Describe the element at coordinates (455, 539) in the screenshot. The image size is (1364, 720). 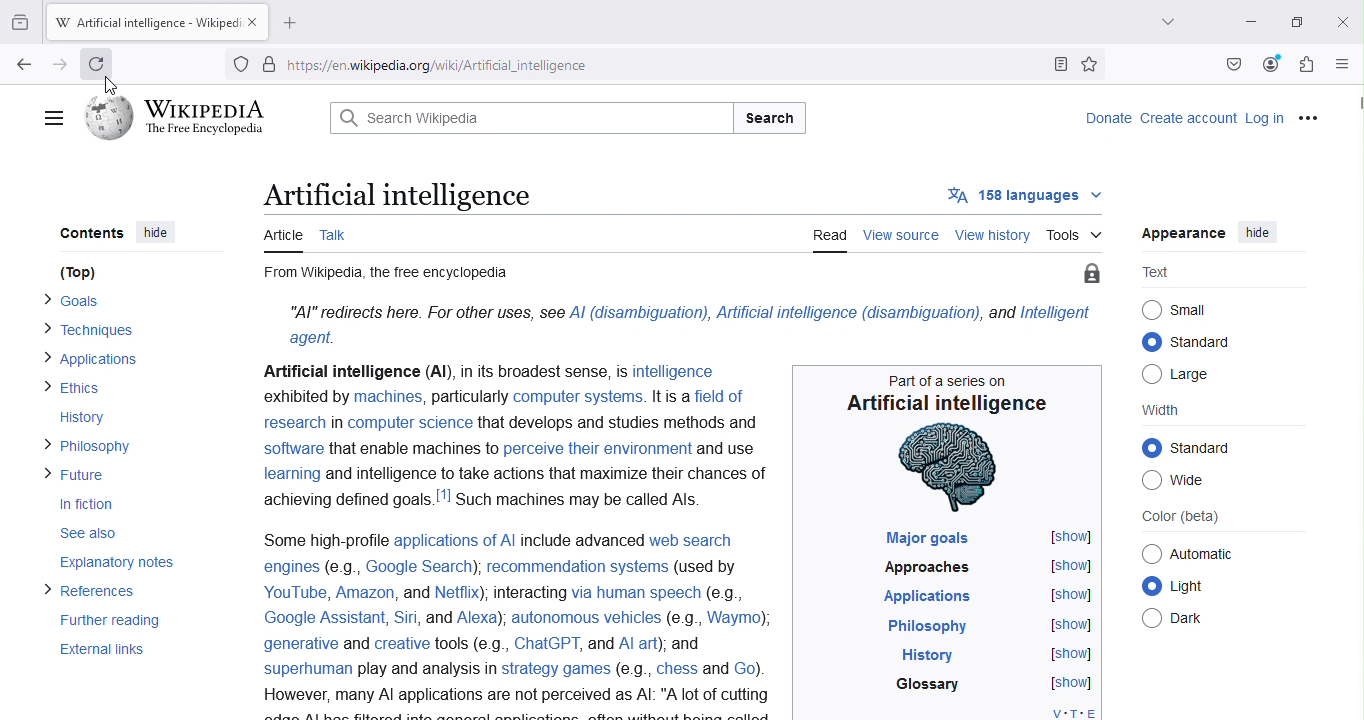
I see `applications of Al` at that location.